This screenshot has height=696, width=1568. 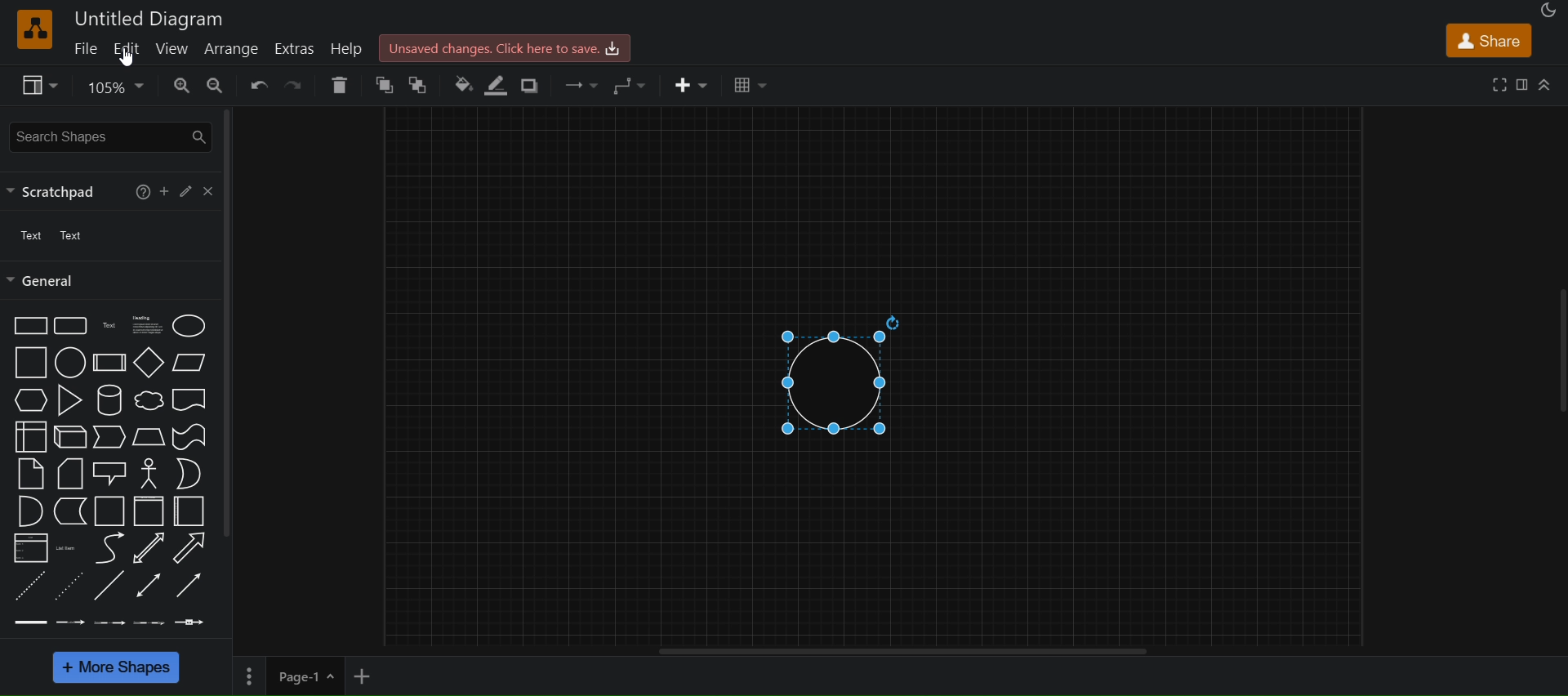 What do you see at coordinates (106, 327) in the screenshot?
I see `text` at bounding box center [106, 327].